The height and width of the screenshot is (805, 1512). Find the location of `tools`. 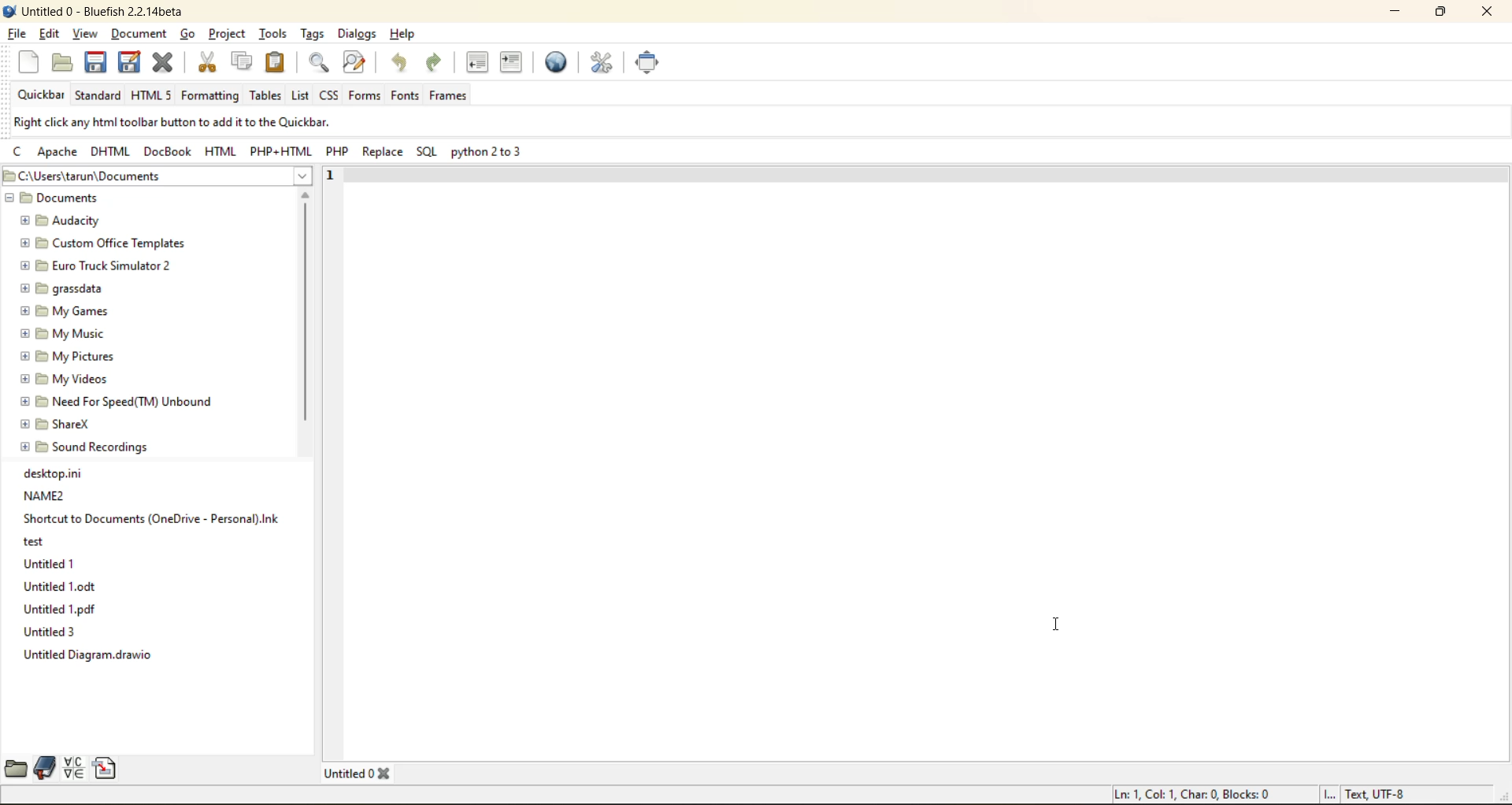

tools is located at coordinates (274, 33).